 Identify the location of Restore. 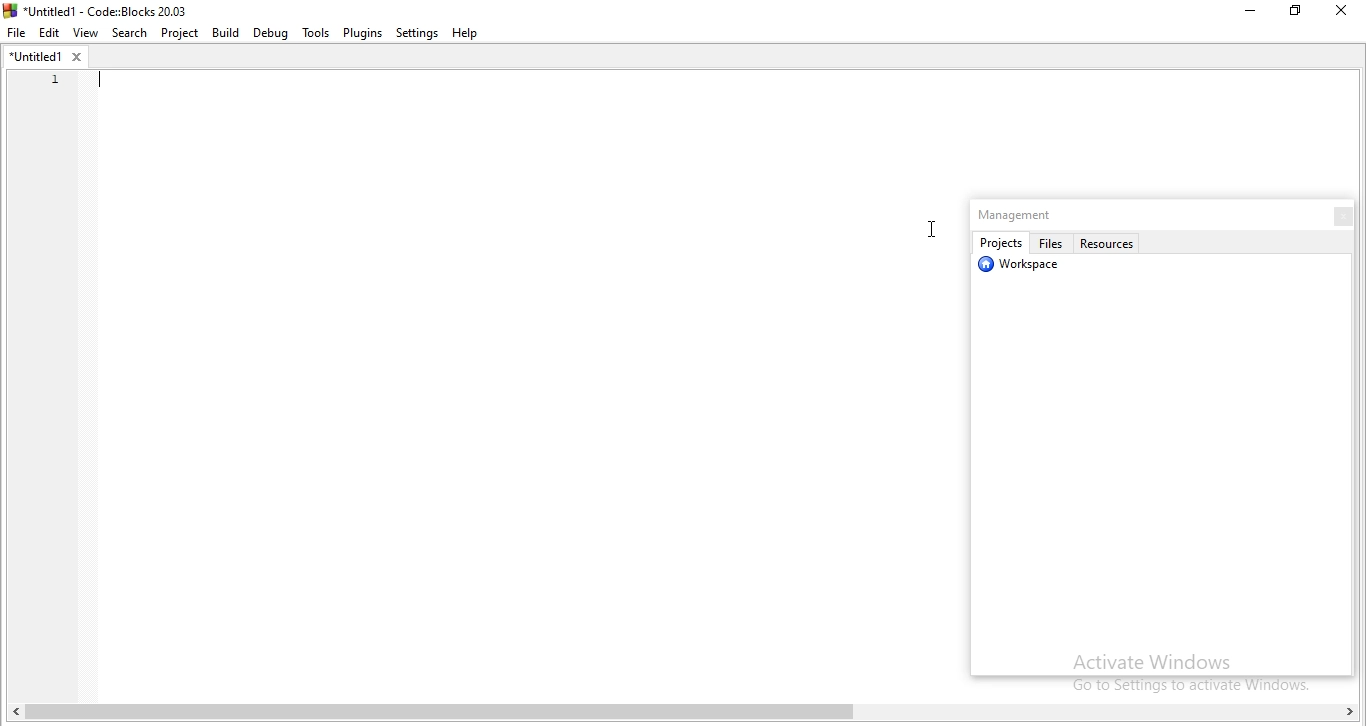
(1295, 15).